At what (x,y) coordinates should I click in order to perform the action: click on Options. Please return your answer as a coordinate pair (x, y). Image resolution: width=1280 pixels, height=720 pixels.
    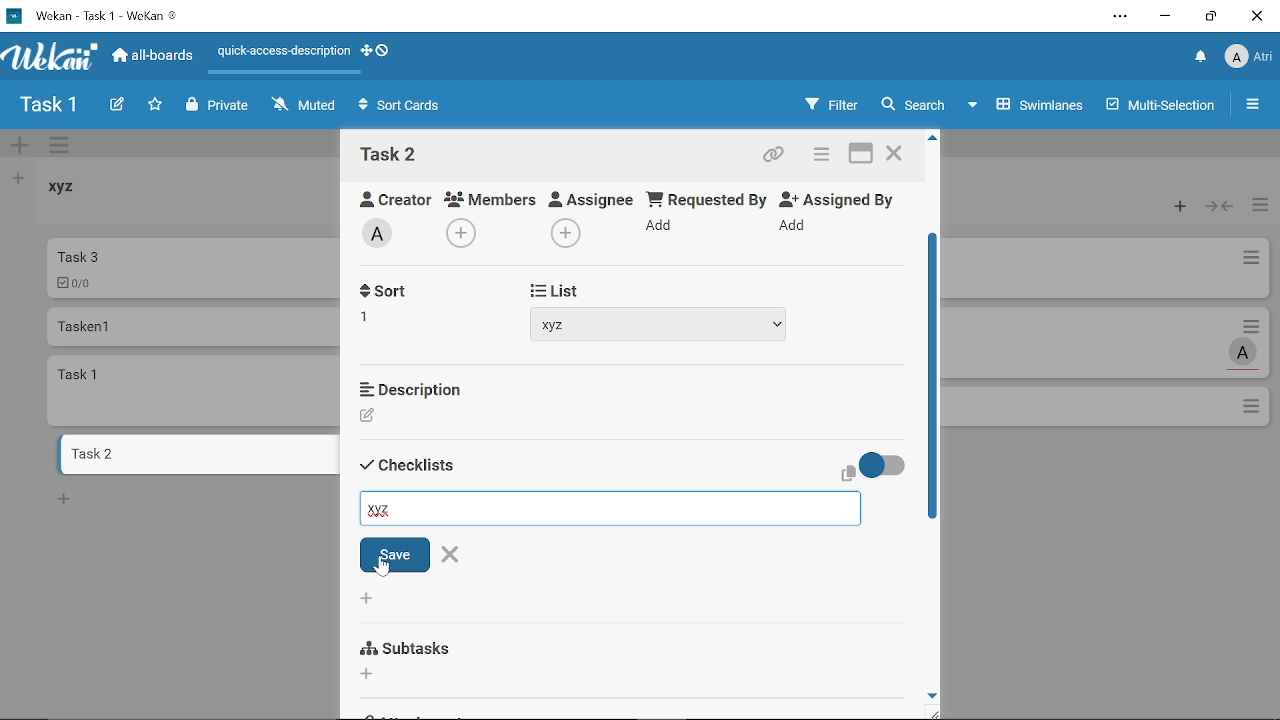
    Looking at the image, I should click on (1253, 408).